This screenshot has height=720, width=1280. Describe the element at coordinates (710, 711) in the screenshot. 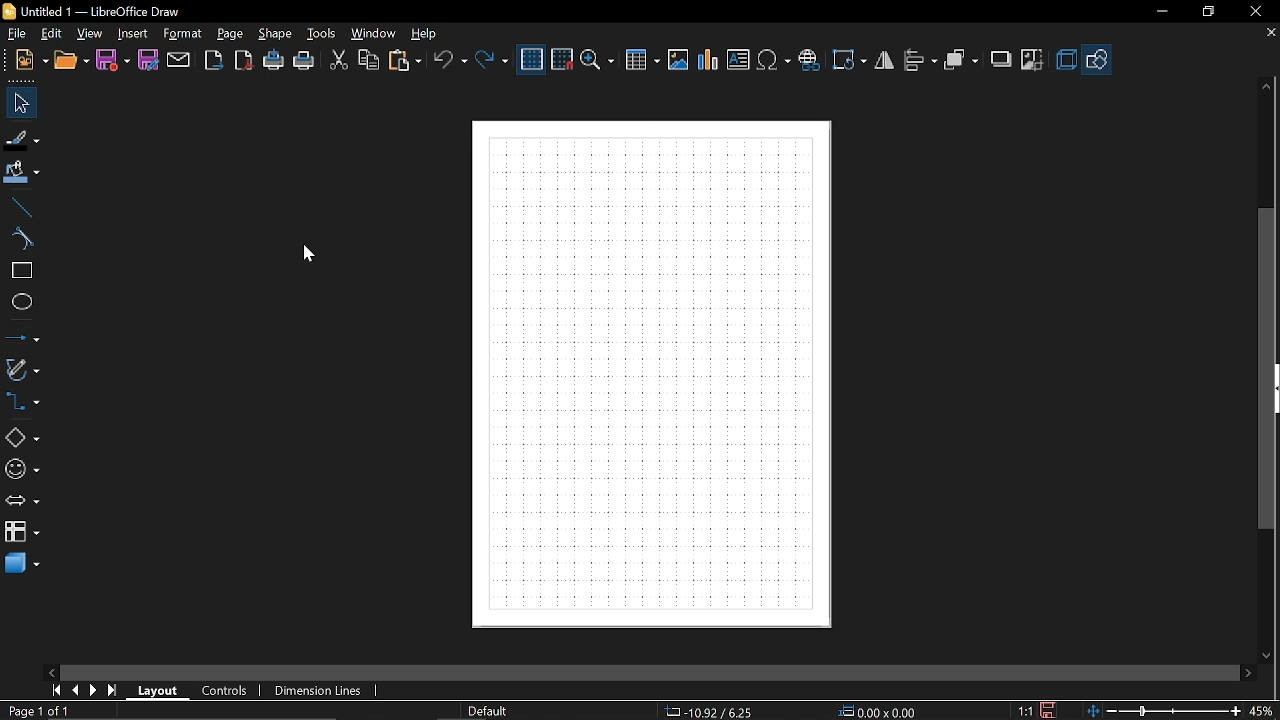

I see `1.98/-3.67` at that location.